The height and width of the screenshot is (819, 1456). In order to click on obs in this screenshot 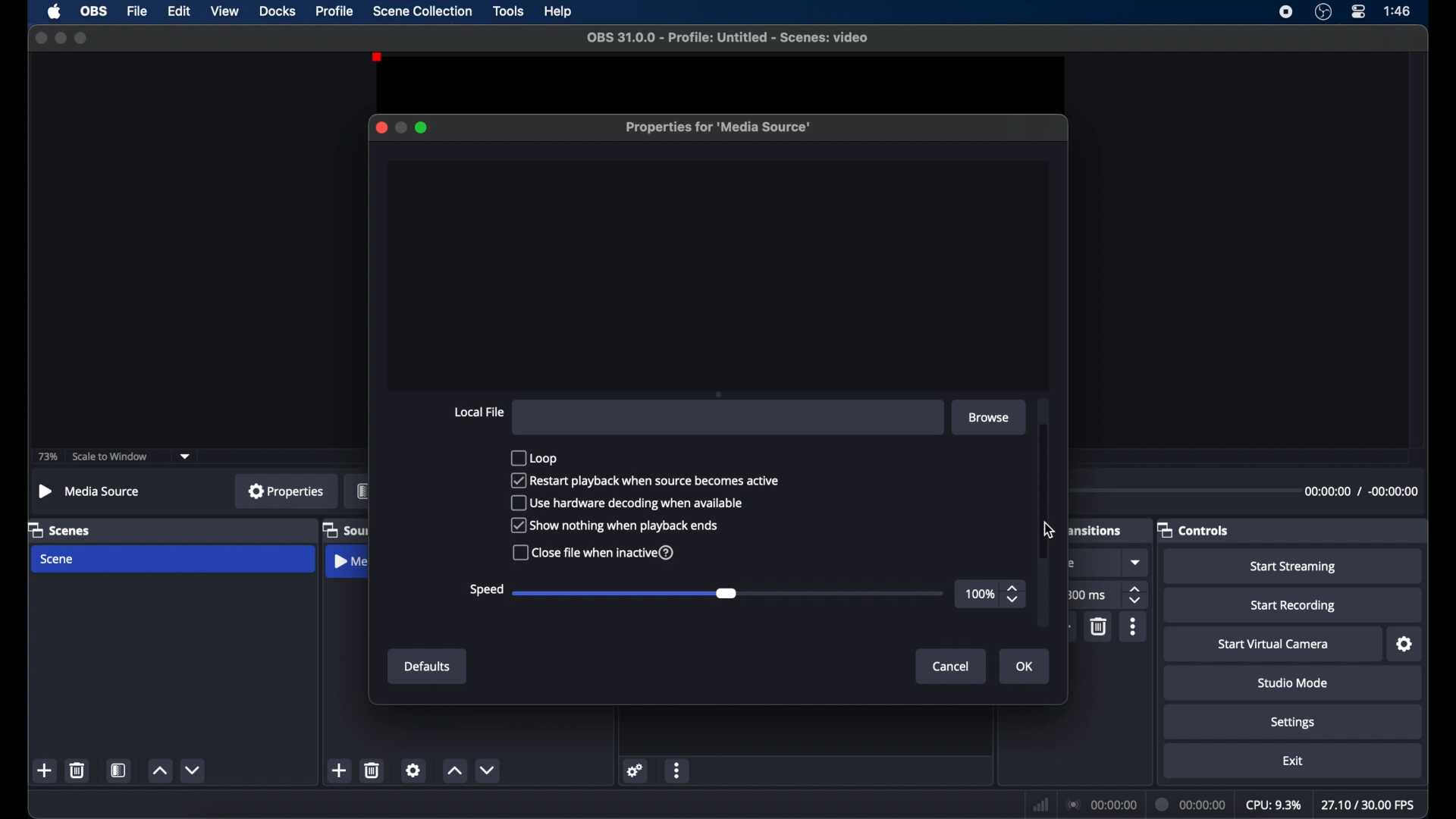, I will do `click(95, 11)`.